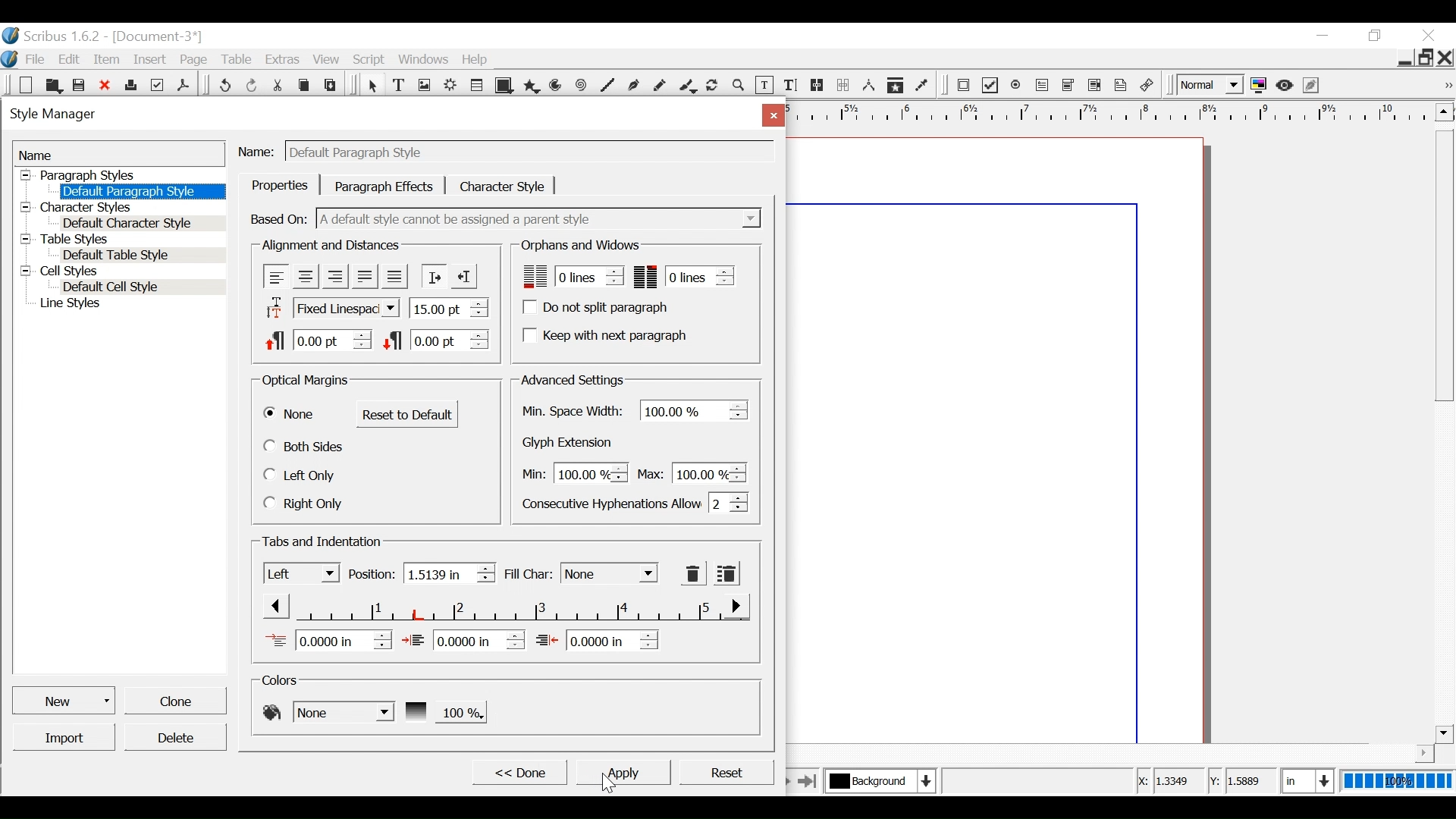 Image resolution: width=1456 pixels, height=819 pixels. I want to click on Delete all tabular, so click(726, 573).